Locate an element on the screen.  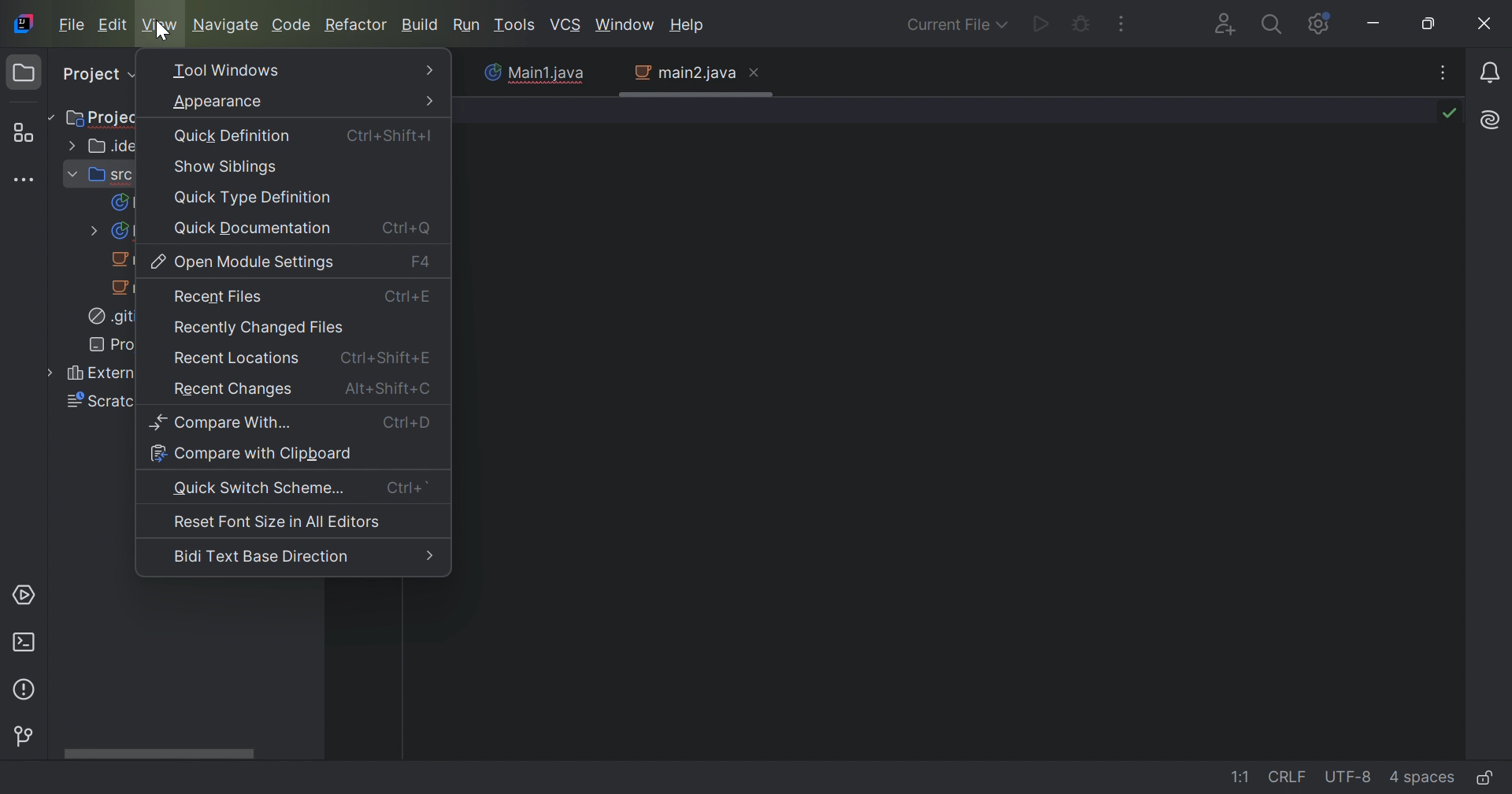
Run is located at coordinates (1040, 25).